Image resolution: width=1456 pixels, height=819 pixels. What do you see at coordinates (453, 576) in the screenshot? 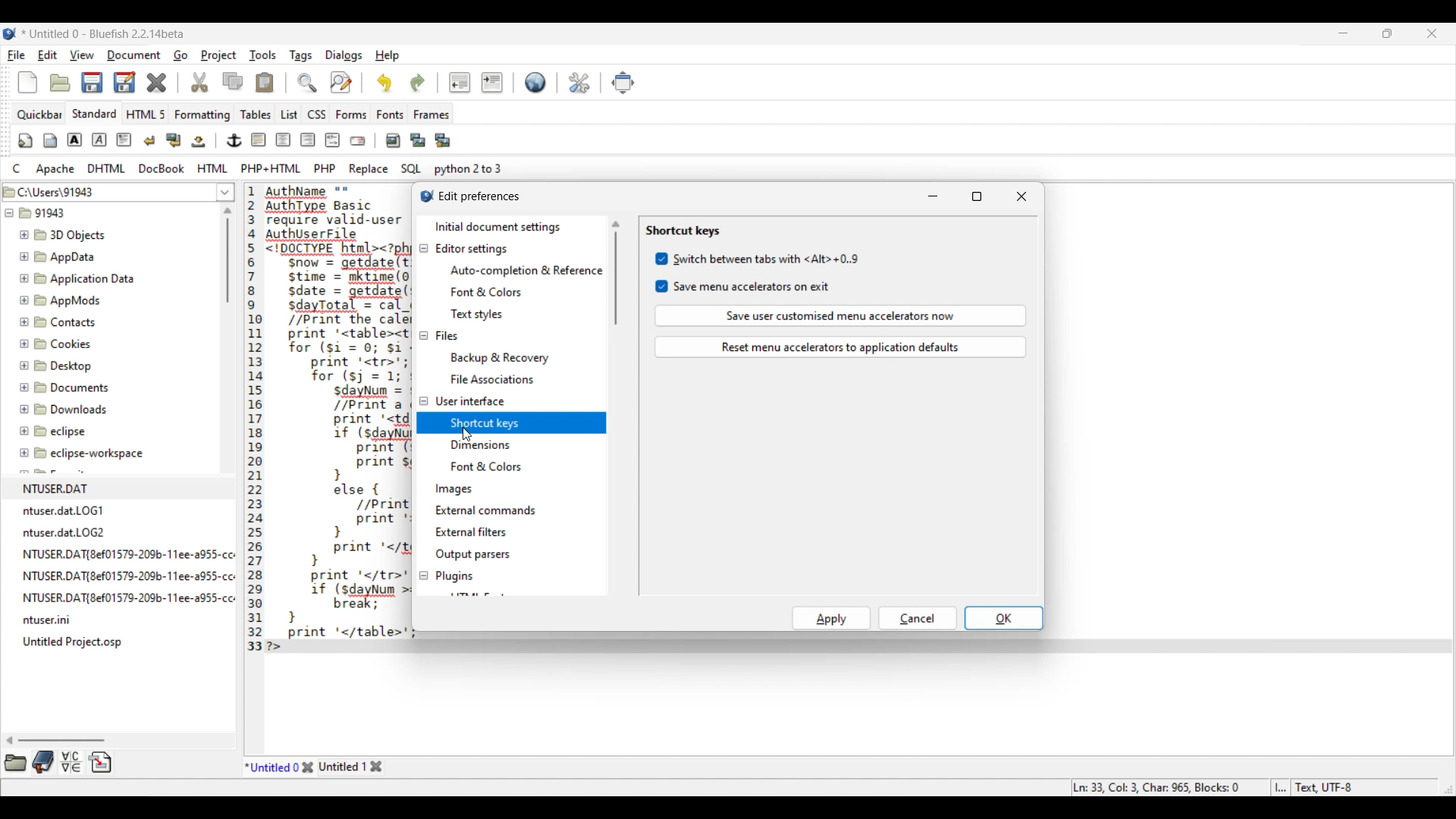
I see `Plugins` at bounding box center [453, 576].